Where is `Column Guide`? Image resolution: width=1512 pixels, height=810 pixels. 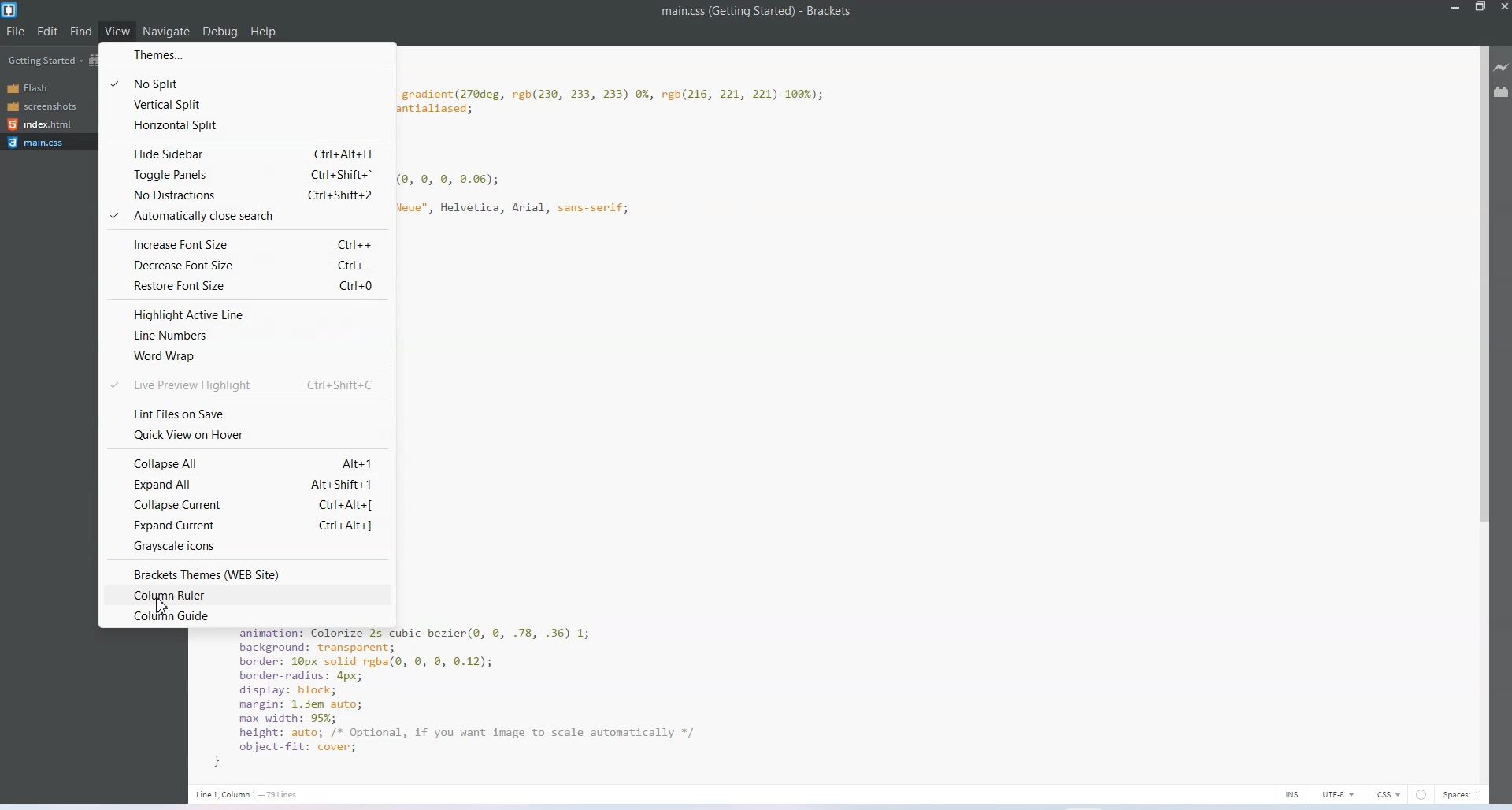
Column Guide is located at coordinates (247, 618).